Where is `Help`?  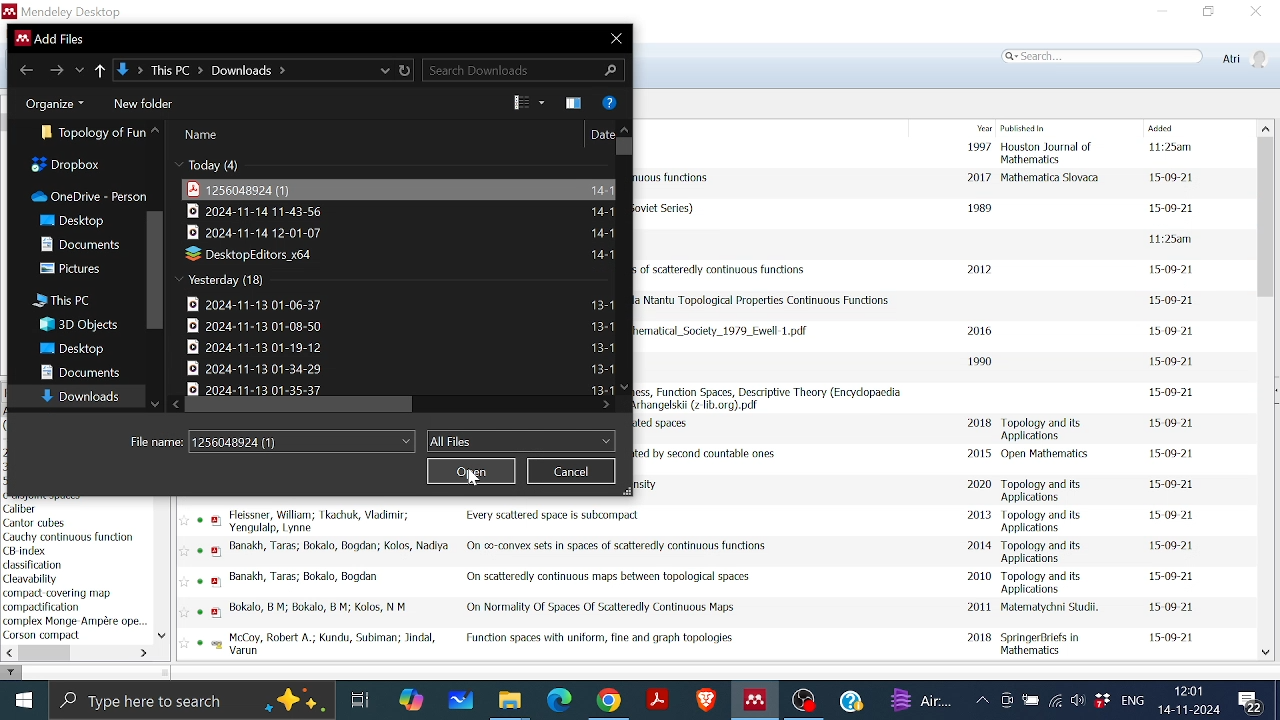
Help is located at coordinates (855, 701).